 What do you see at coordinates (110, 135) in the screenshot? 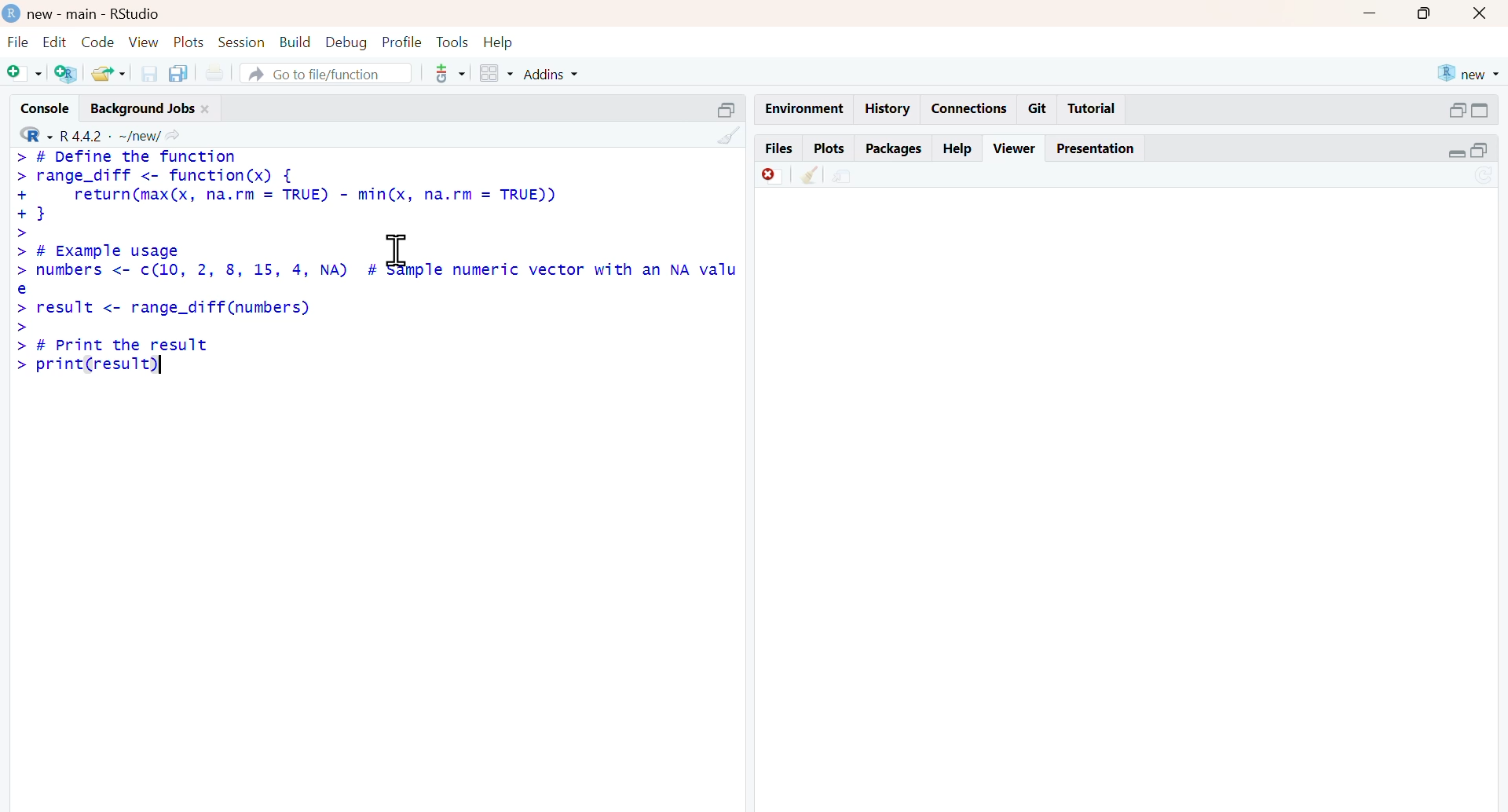
I see `R 4.4.2 ~/new/` at bounding box center [110, 135].